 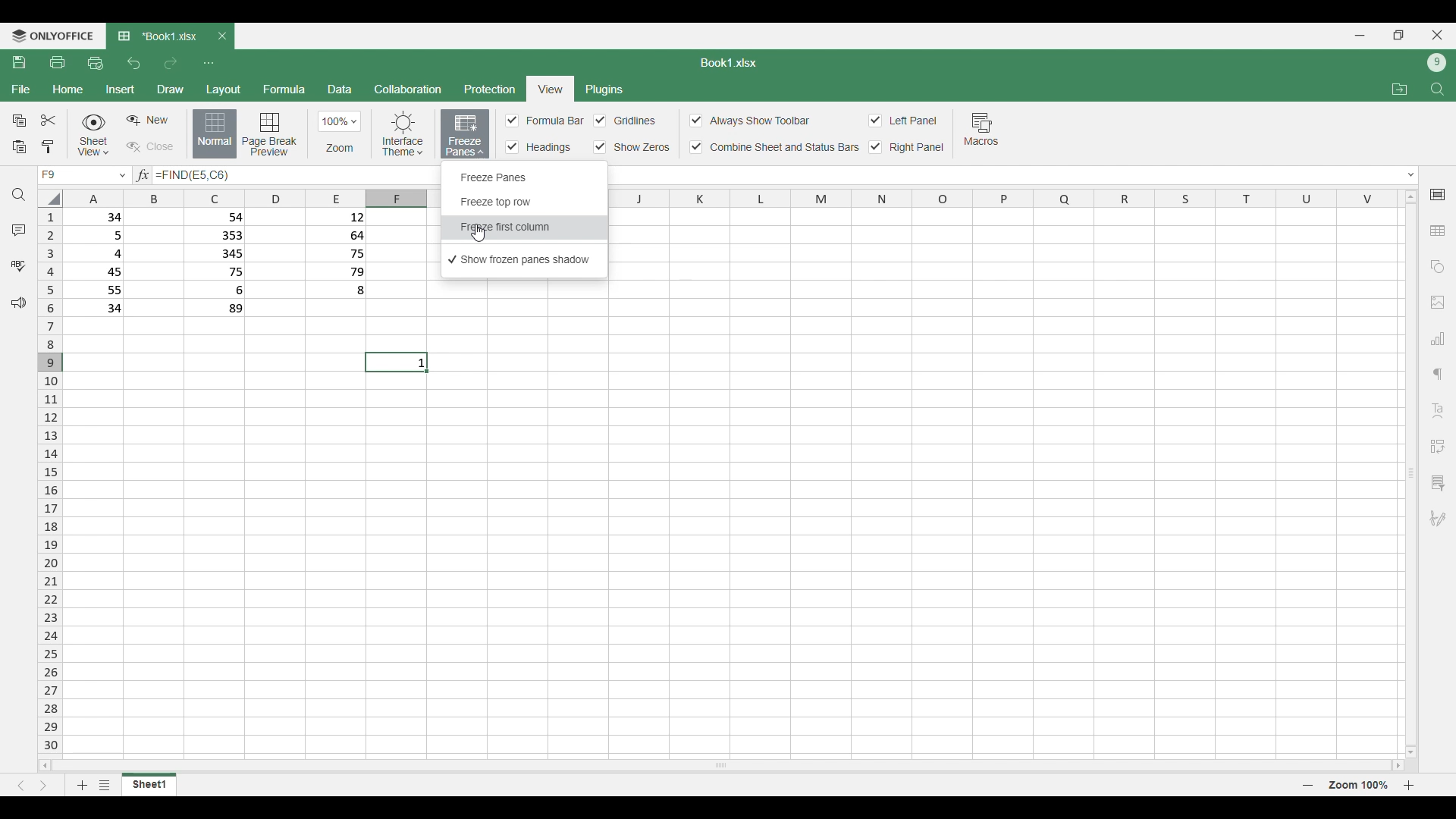 What do you see at coordinates (152, 785) in the screenshot?
I see `Current sheet: sheet1` at bounding box center [152, 785].